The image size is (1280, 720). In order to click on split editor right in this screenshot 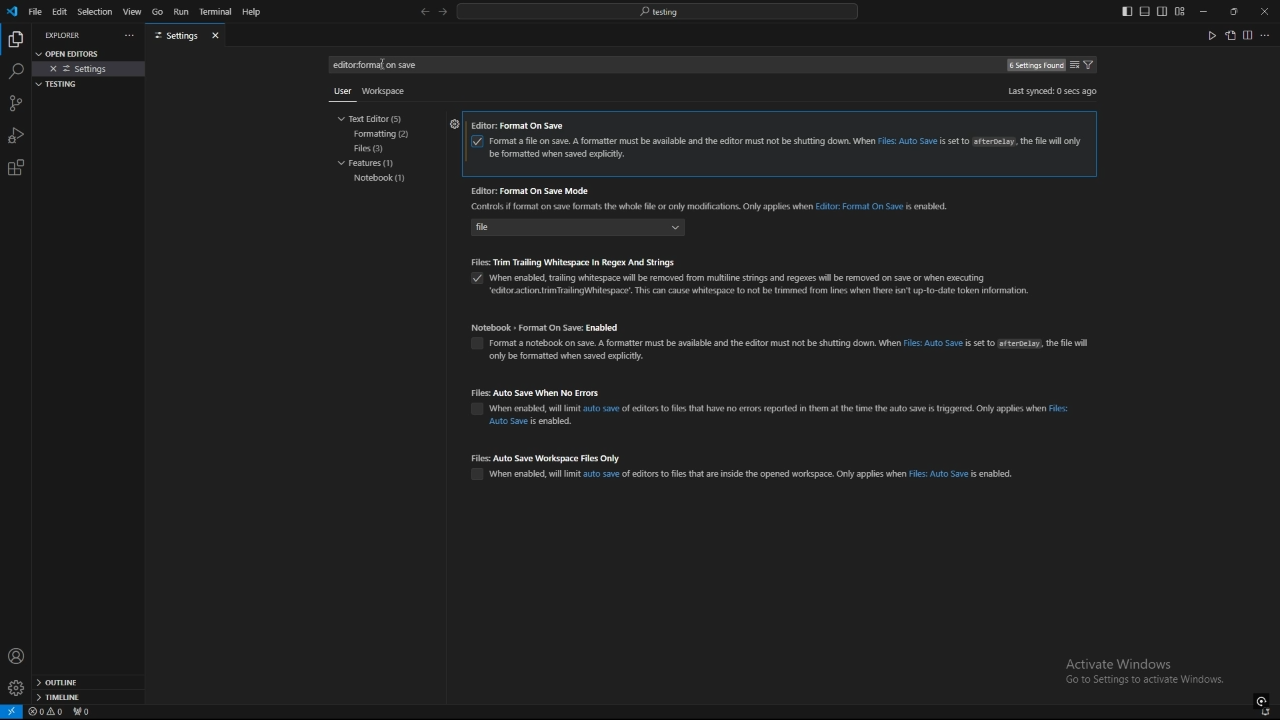, I will do `click(1248, 35)`.